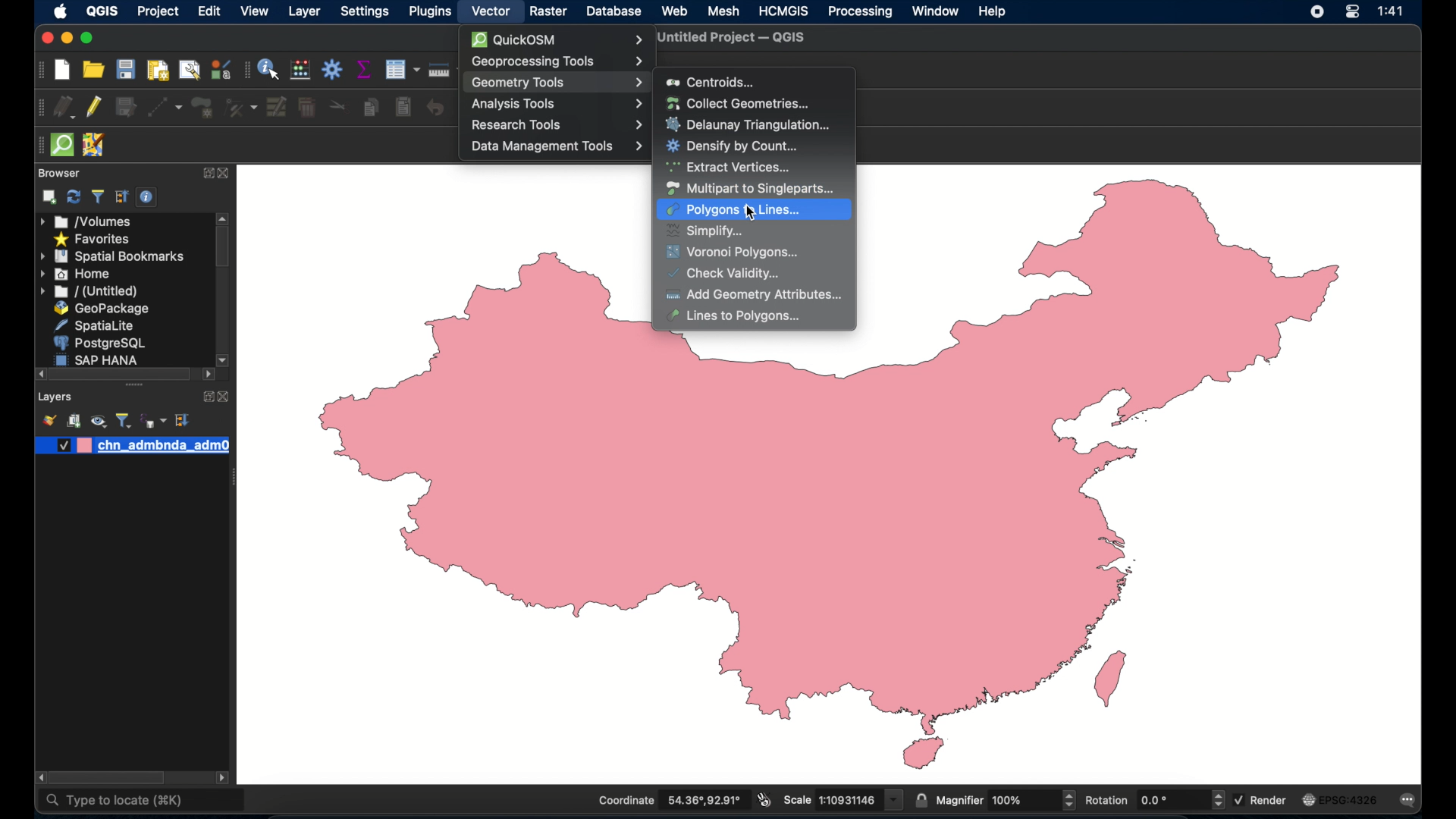 The height and width of the screenshot is (819, 1456). What do you see at coordinates (333, 69) in the screenshot?
I see `toolbox` at bounding box center [333, 69].